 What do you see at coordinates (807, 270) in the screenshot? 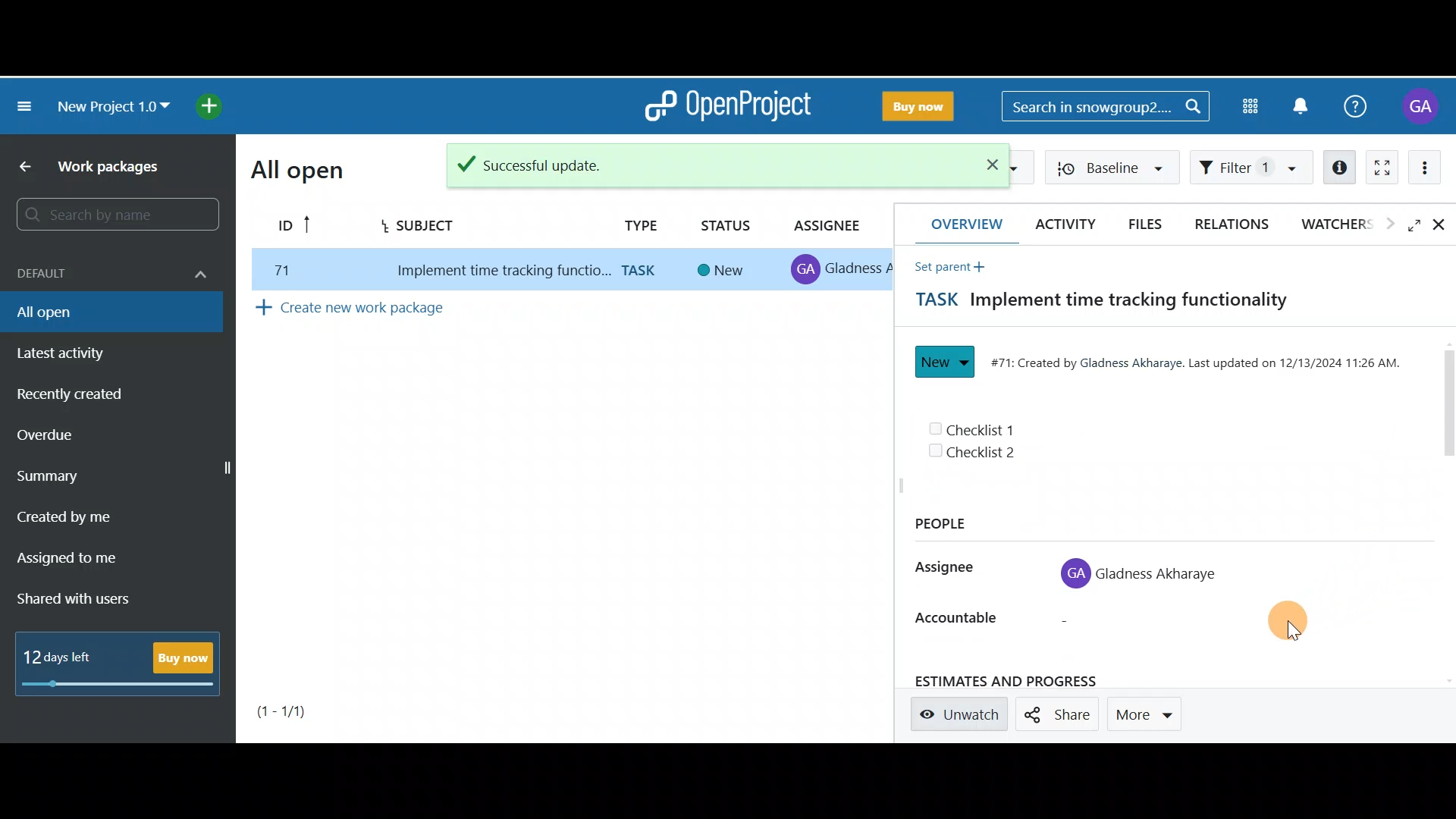
I see `profile icon` at bounding box center [807, 270].